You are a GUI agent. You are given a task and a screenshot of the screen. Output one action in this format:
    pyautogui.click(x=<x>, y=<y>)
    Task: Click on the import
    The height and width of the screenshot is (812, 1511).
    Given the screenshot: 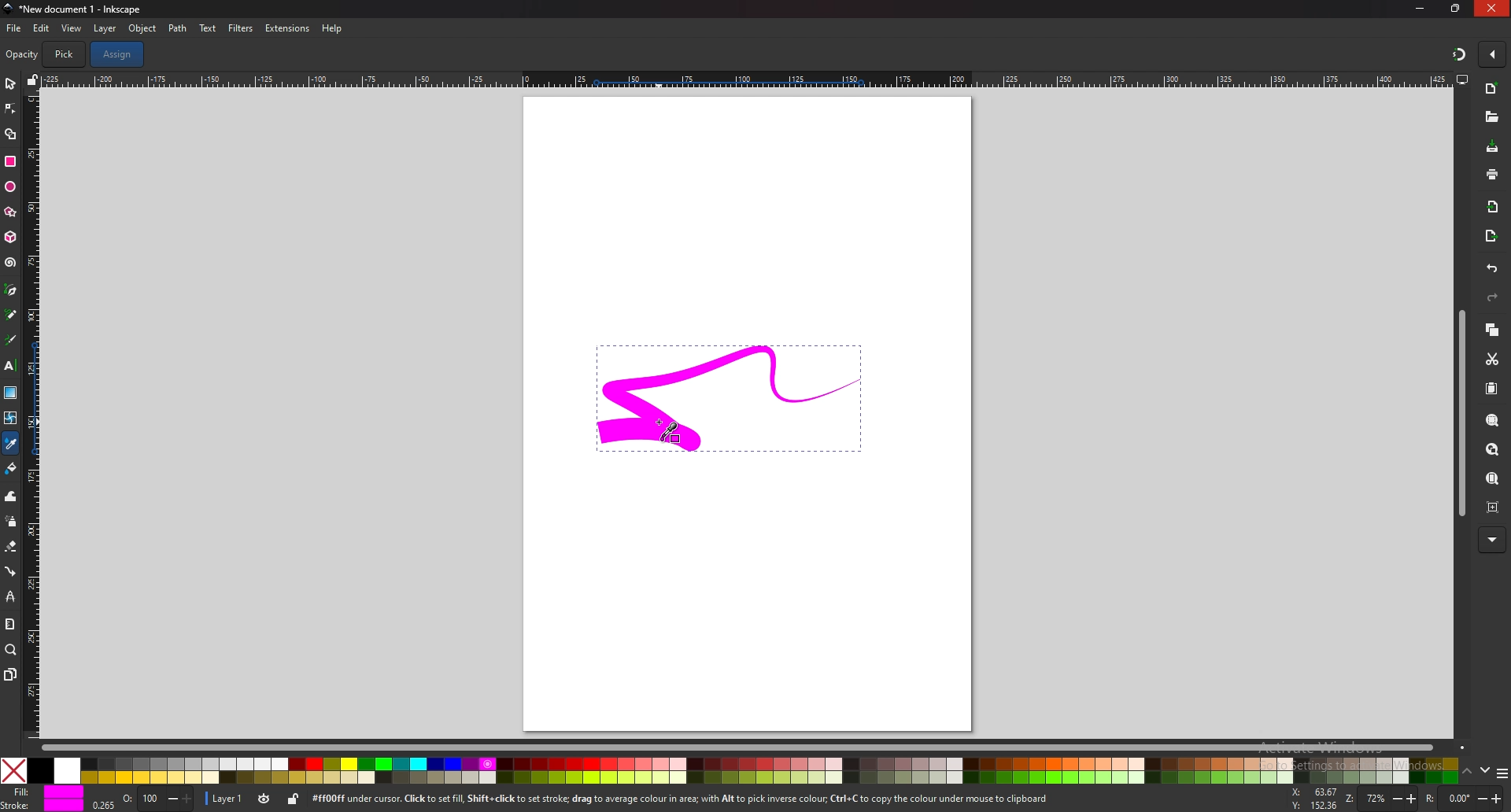 What is the action you would take?
    pyautogui.click(x=1494, y=206)
    